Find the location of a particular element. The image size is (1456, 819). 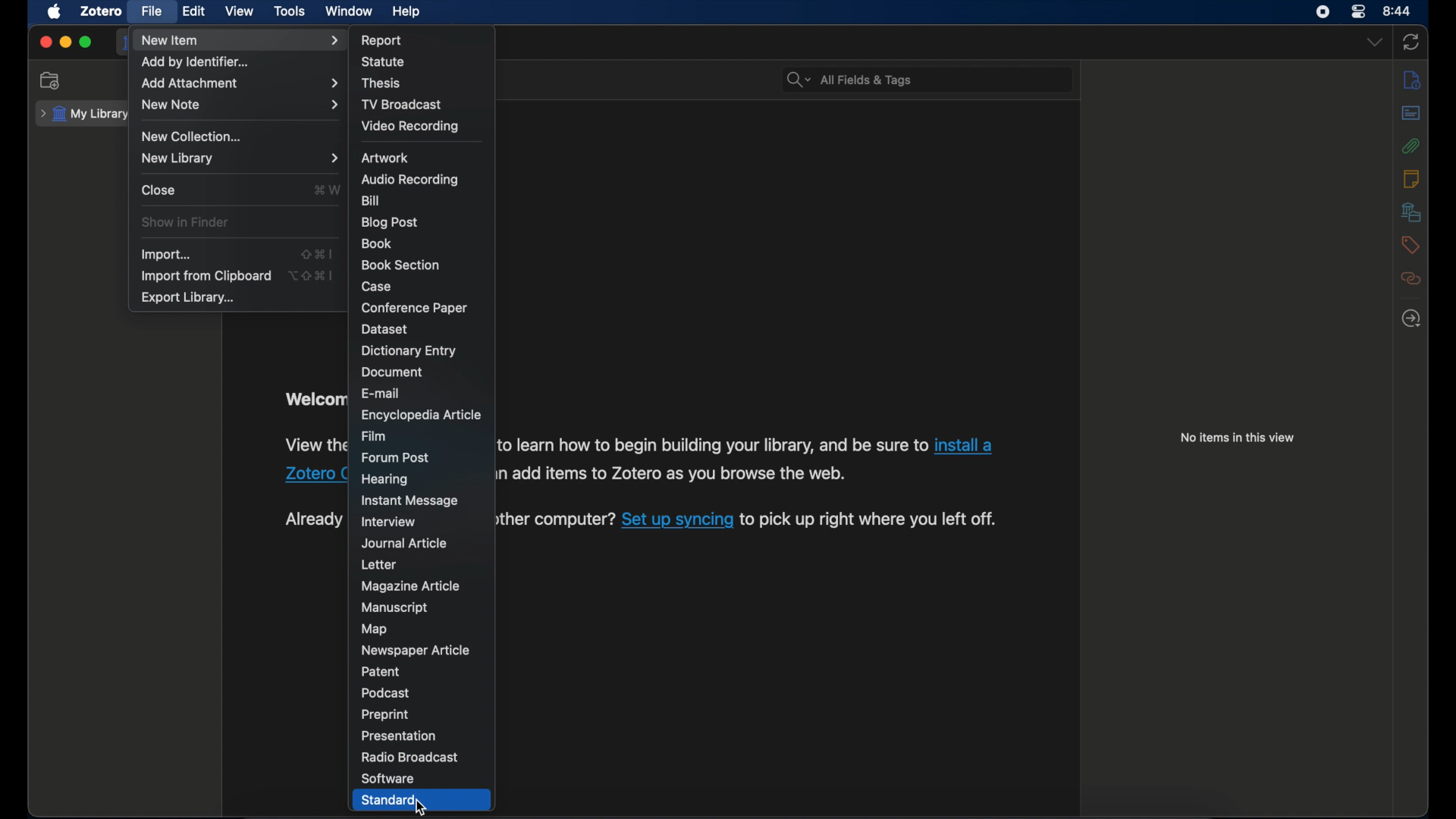

software is located at coordinates (388, 778).